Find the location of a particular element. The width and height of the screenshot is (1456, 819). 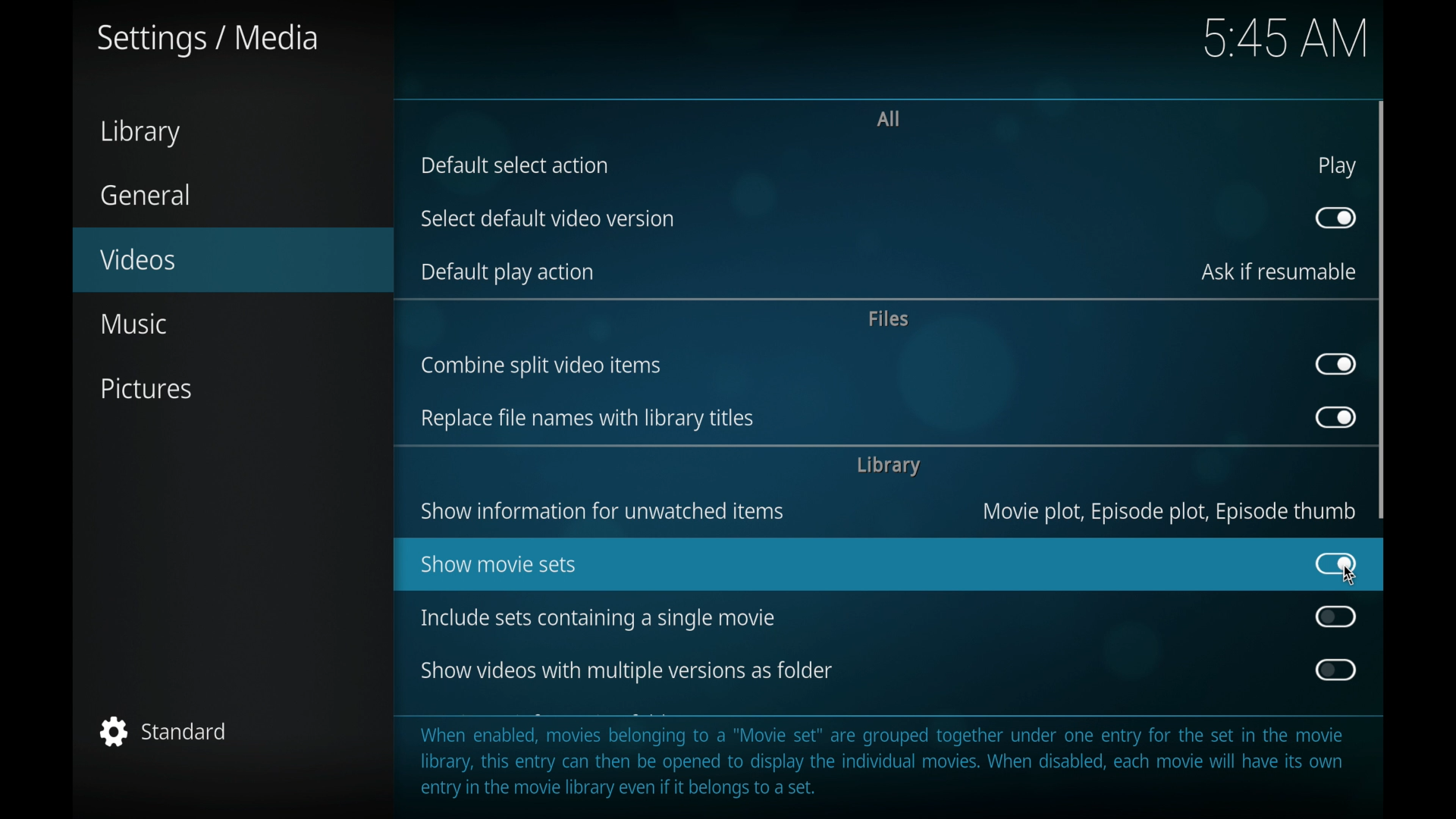

play is located at coordinates (1337, 166).